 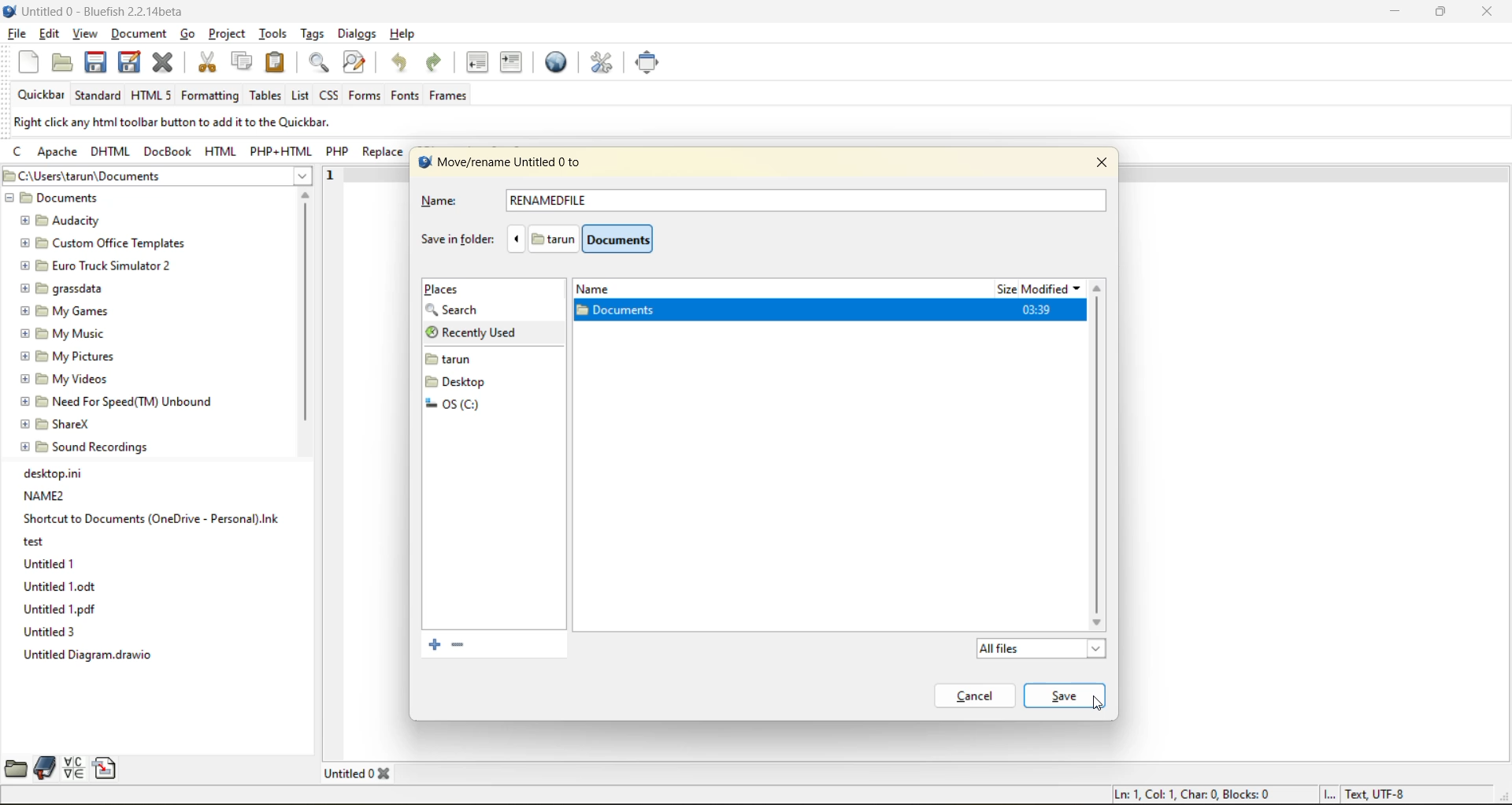 What do you see at coordinates (107, 768) in the screenshot?
I see `snippets` at bounding box center [107, 768].